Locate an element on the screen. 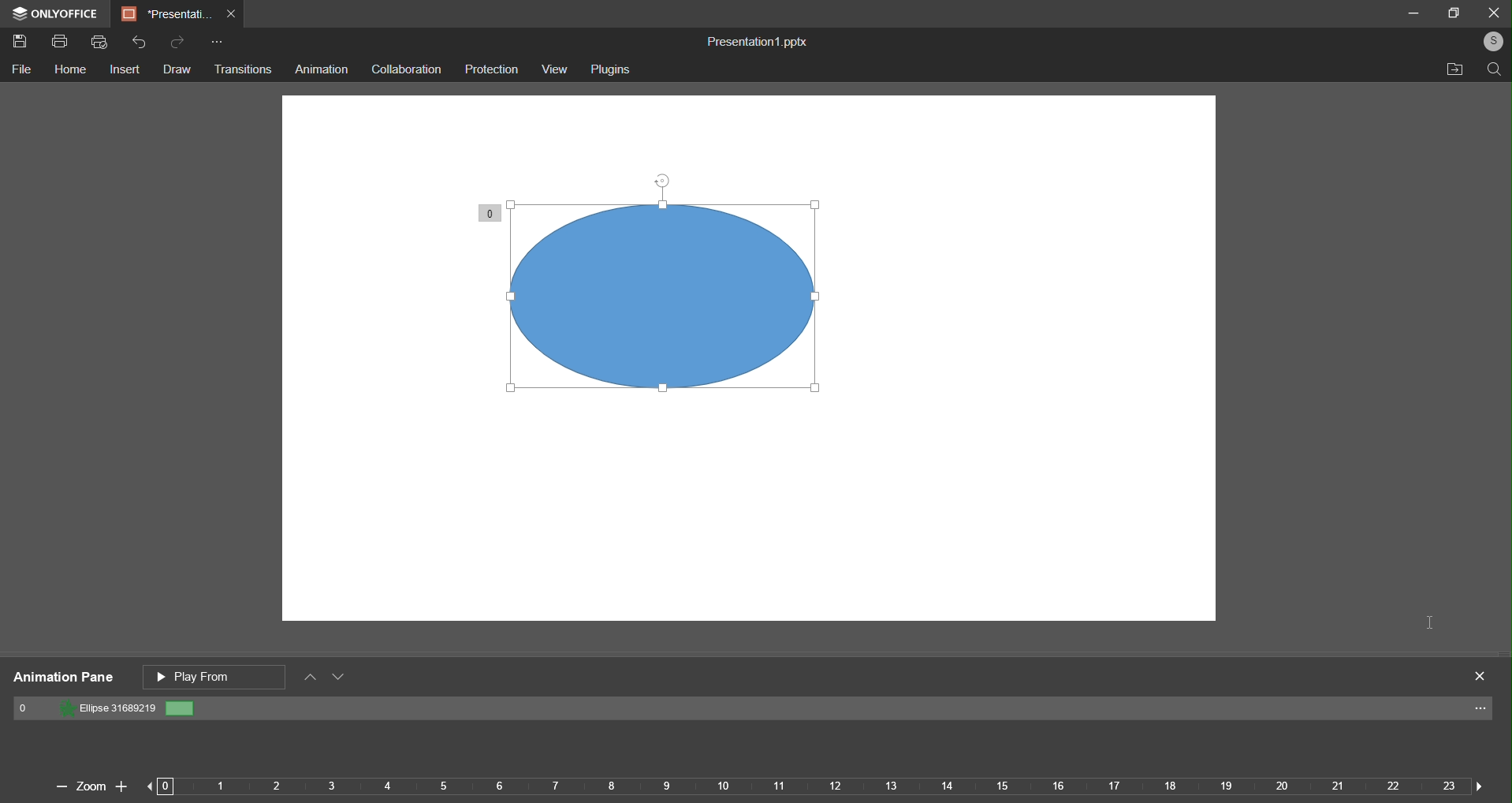 The image size is (1512, 803). Current Tab is located at coordinates (166, 14).